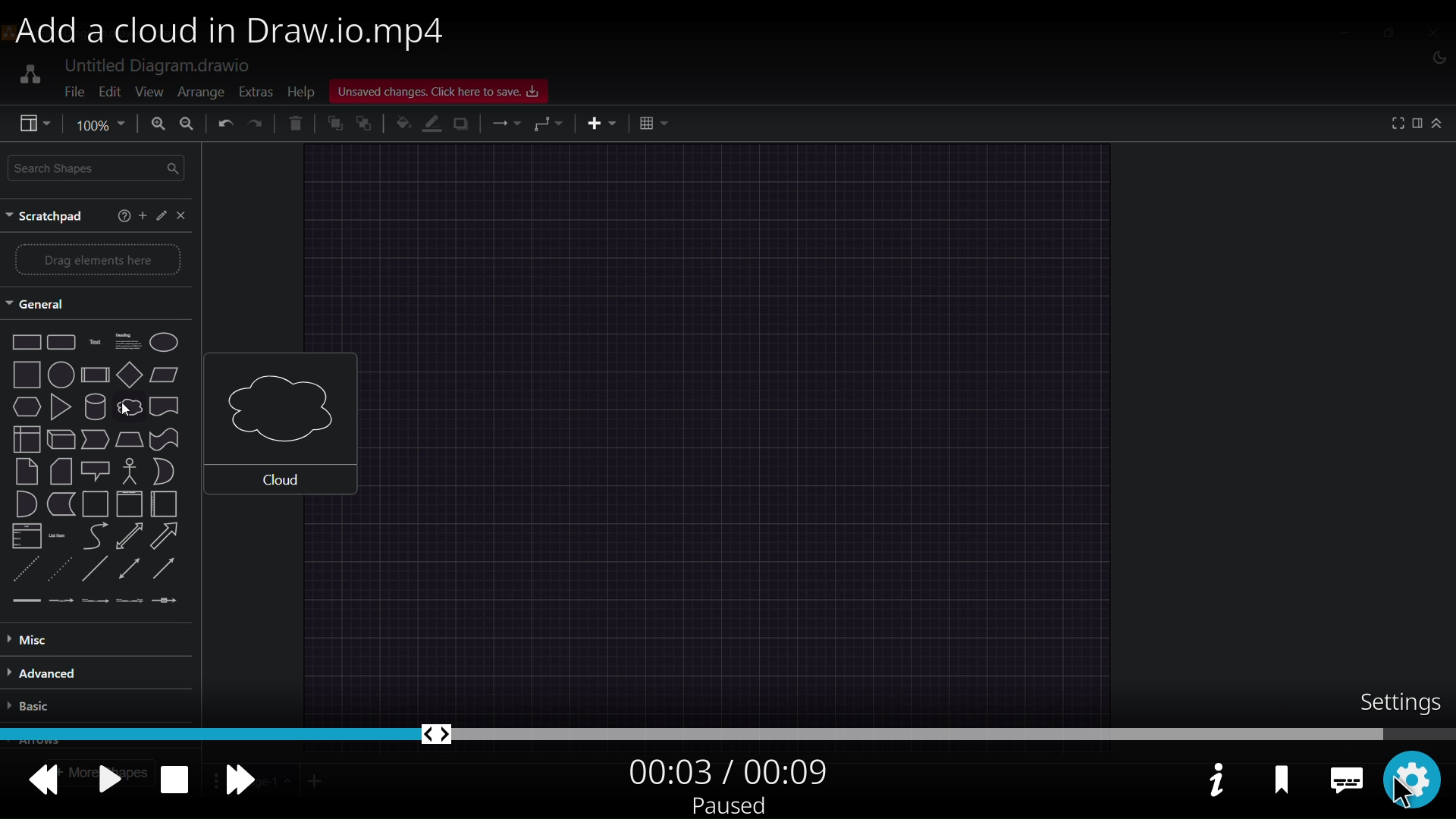 This screenshot has width=1456, height=819. I want to click on setting, so click(1414, 777).